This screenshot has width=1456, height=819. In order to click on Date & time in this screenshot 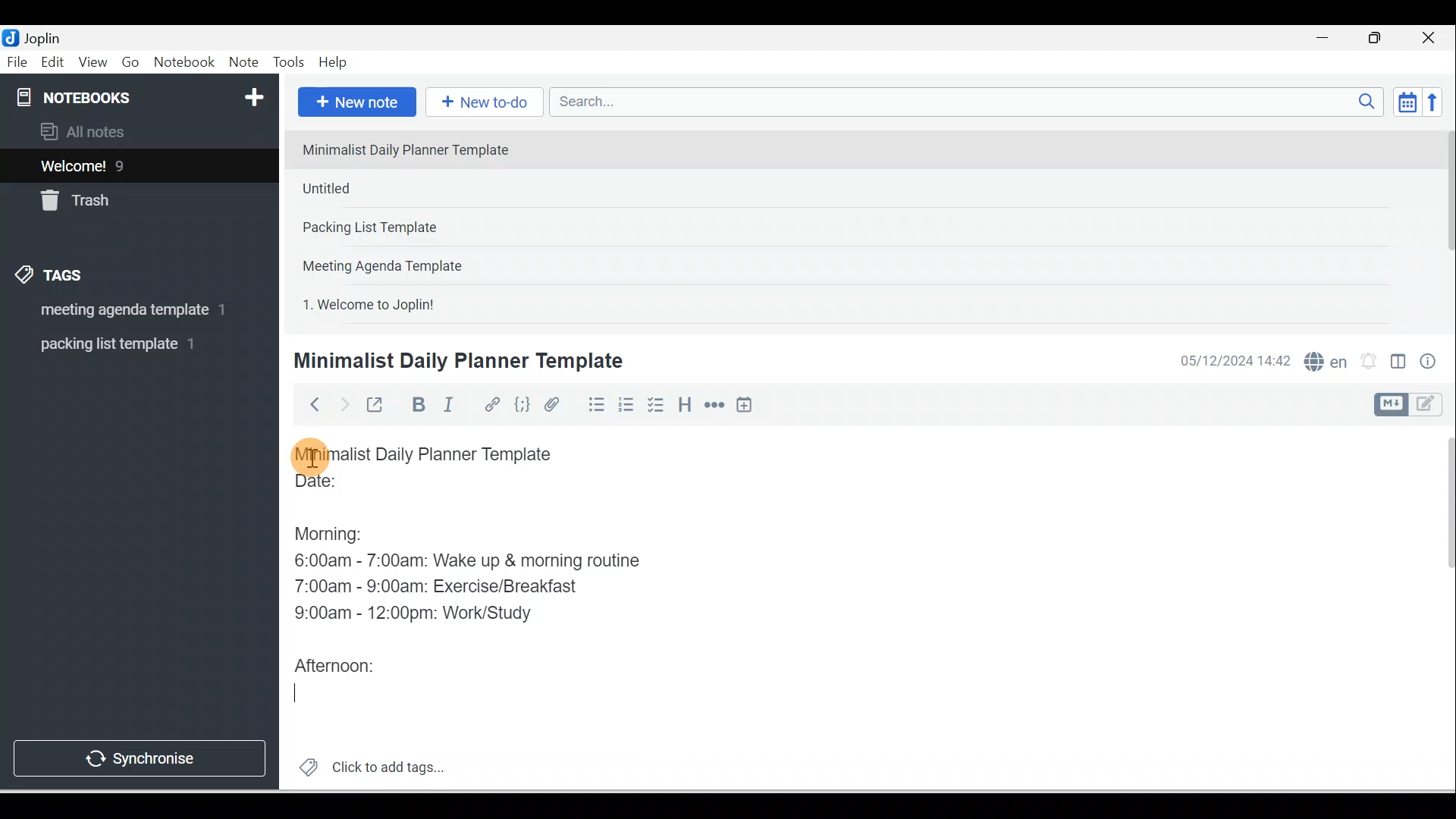, I will do `click(1232, 361)`.